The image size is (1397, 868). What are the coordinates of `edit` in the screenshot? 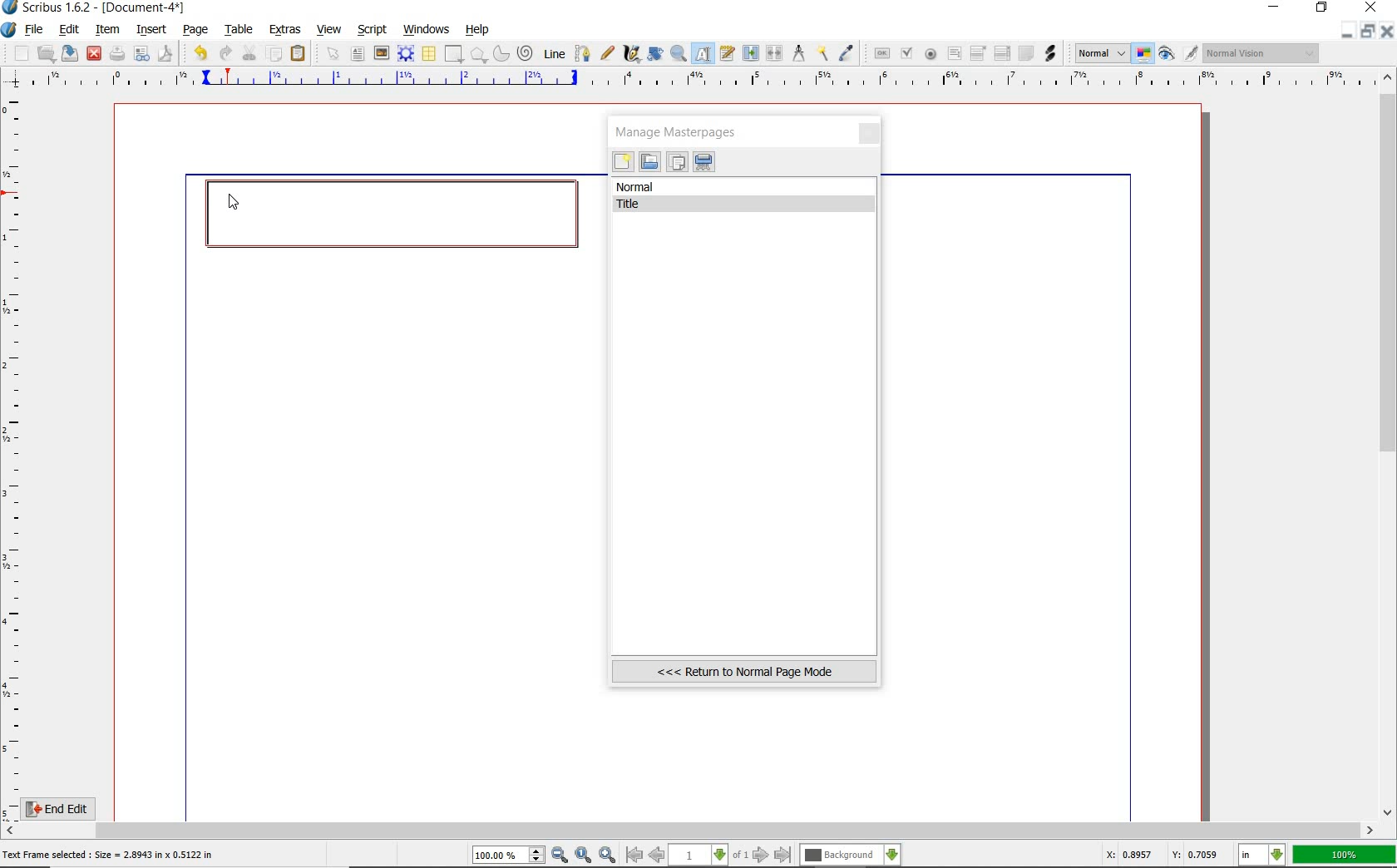 It's located at (67, 31).